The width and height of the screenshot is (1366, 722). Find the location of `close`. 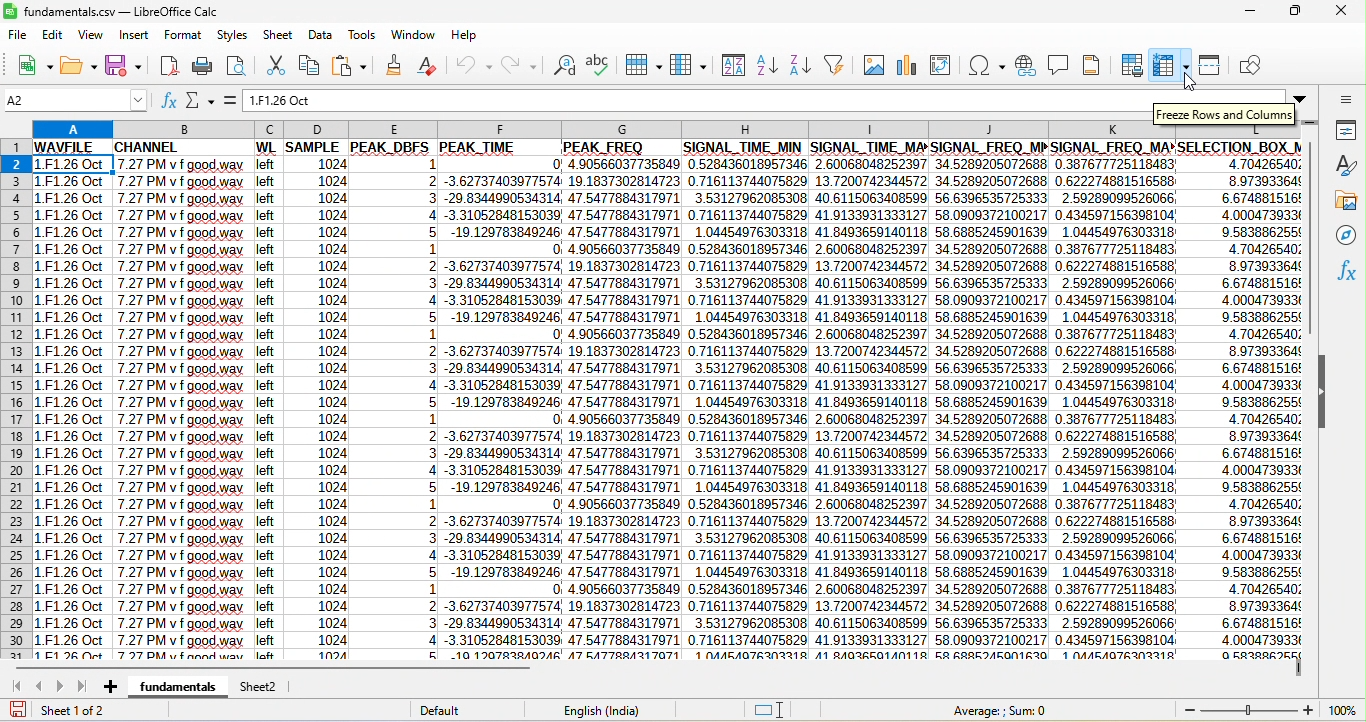

close is located at coordinates (1343, 11).